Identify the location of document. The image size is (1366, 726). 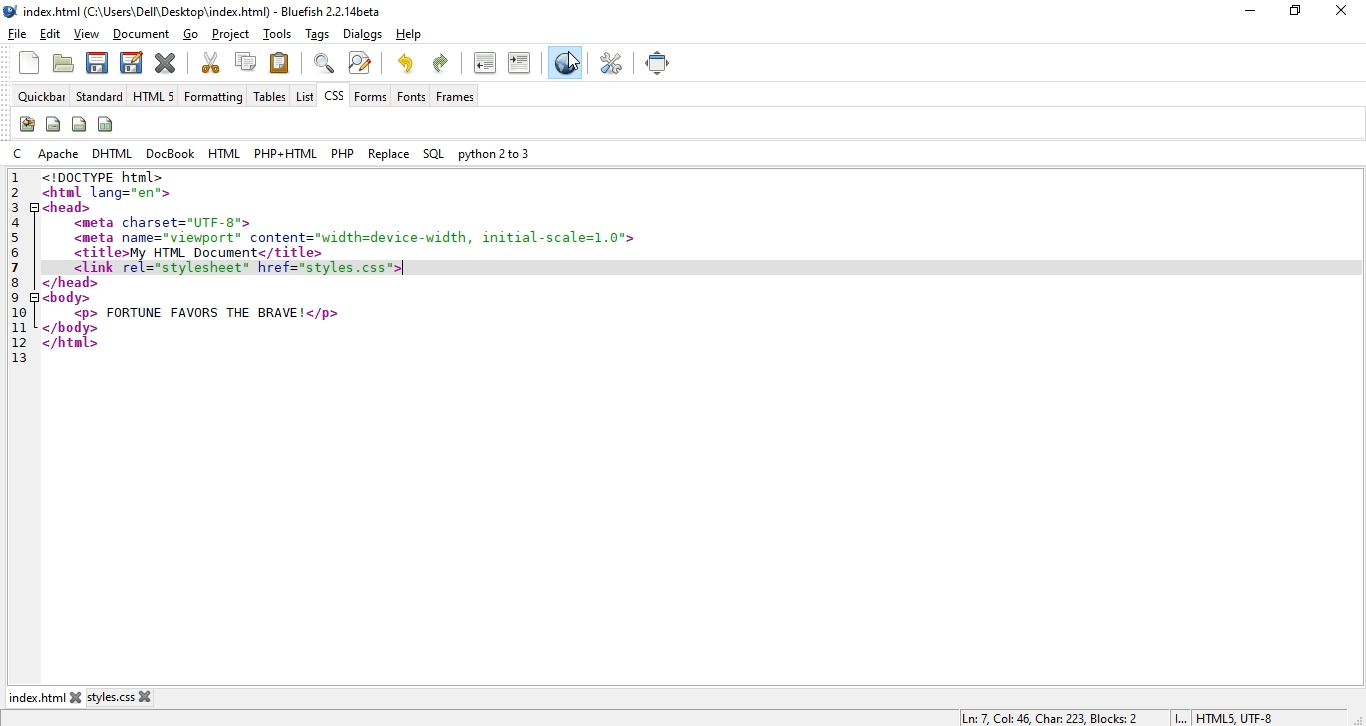
(141, 35).